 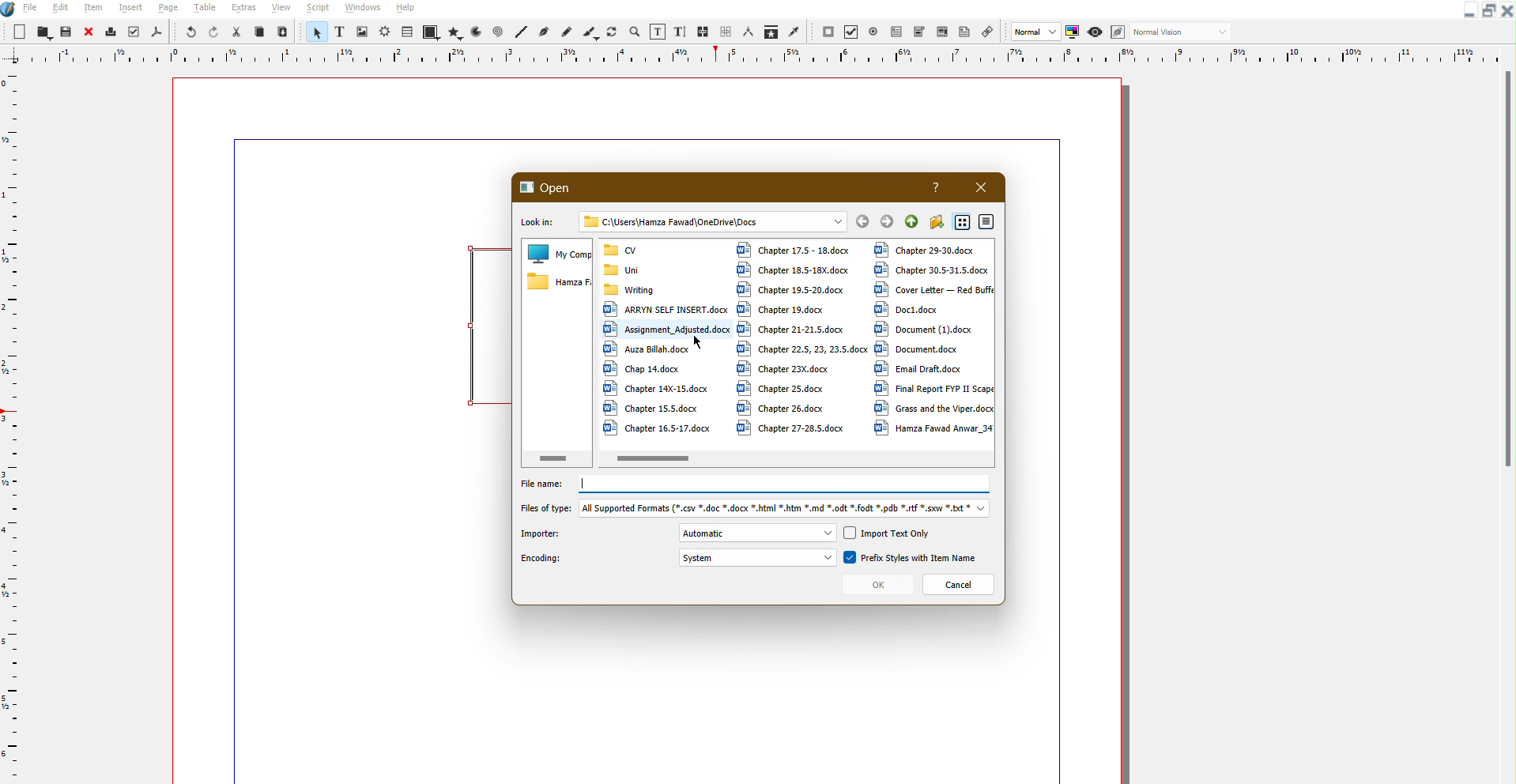 I want to click on Undo, so click(x=190, y=32).